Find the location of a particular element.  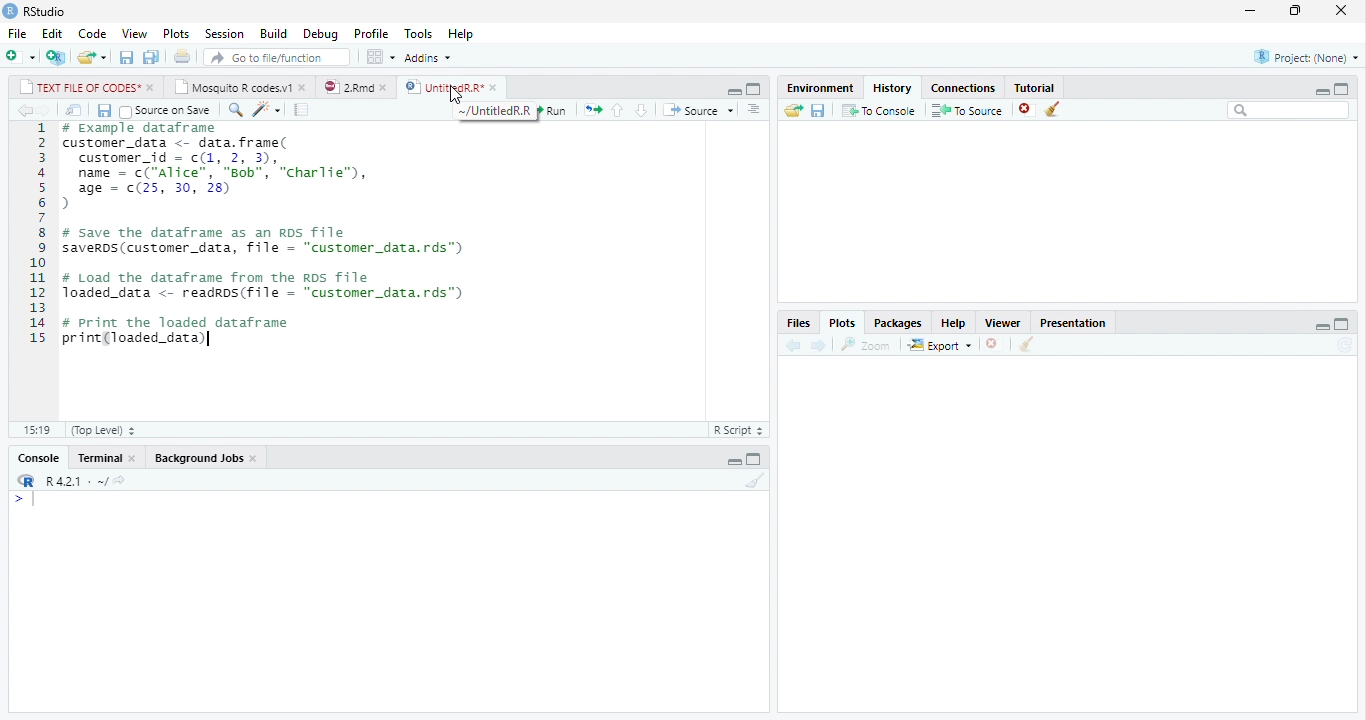

maximize is located at coordinates (1342, 89).